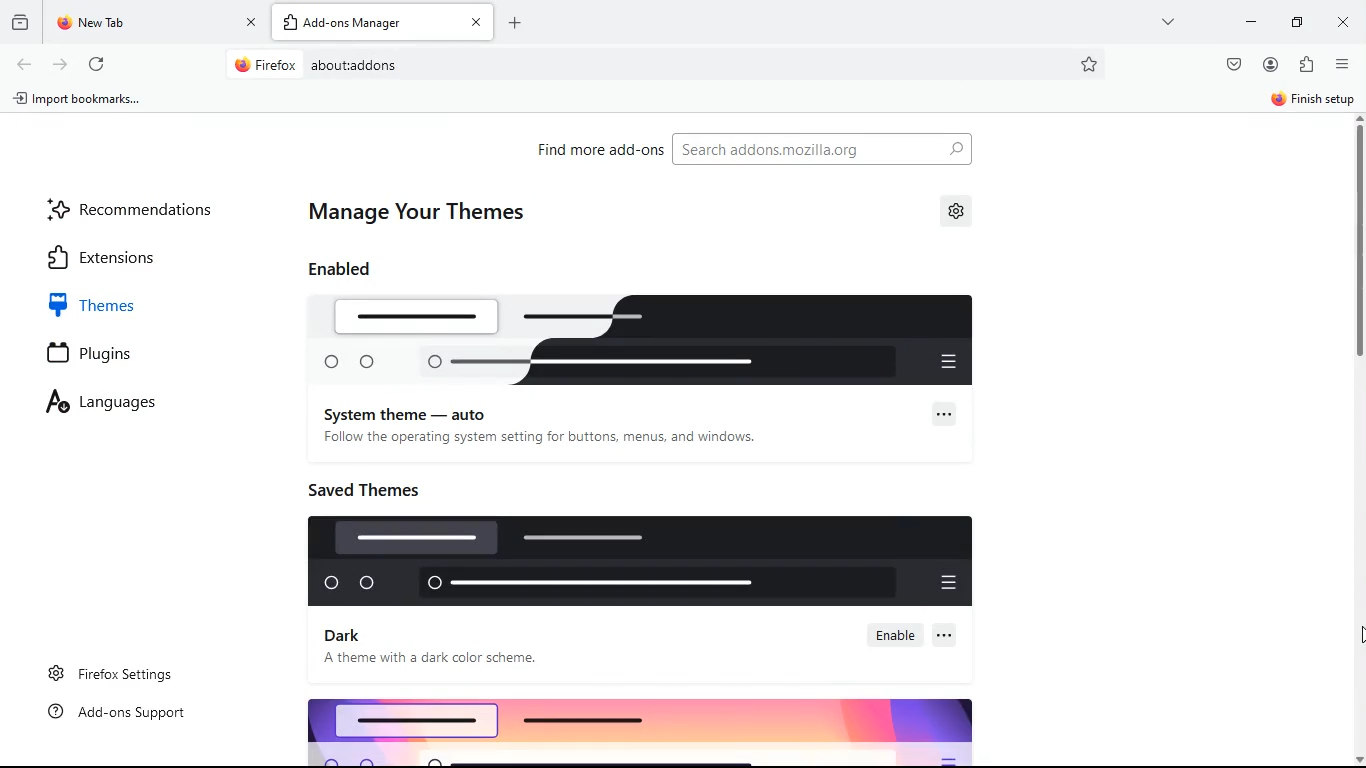 The image size is (1366, 768). I want to click on menu, so click(1342, 65).